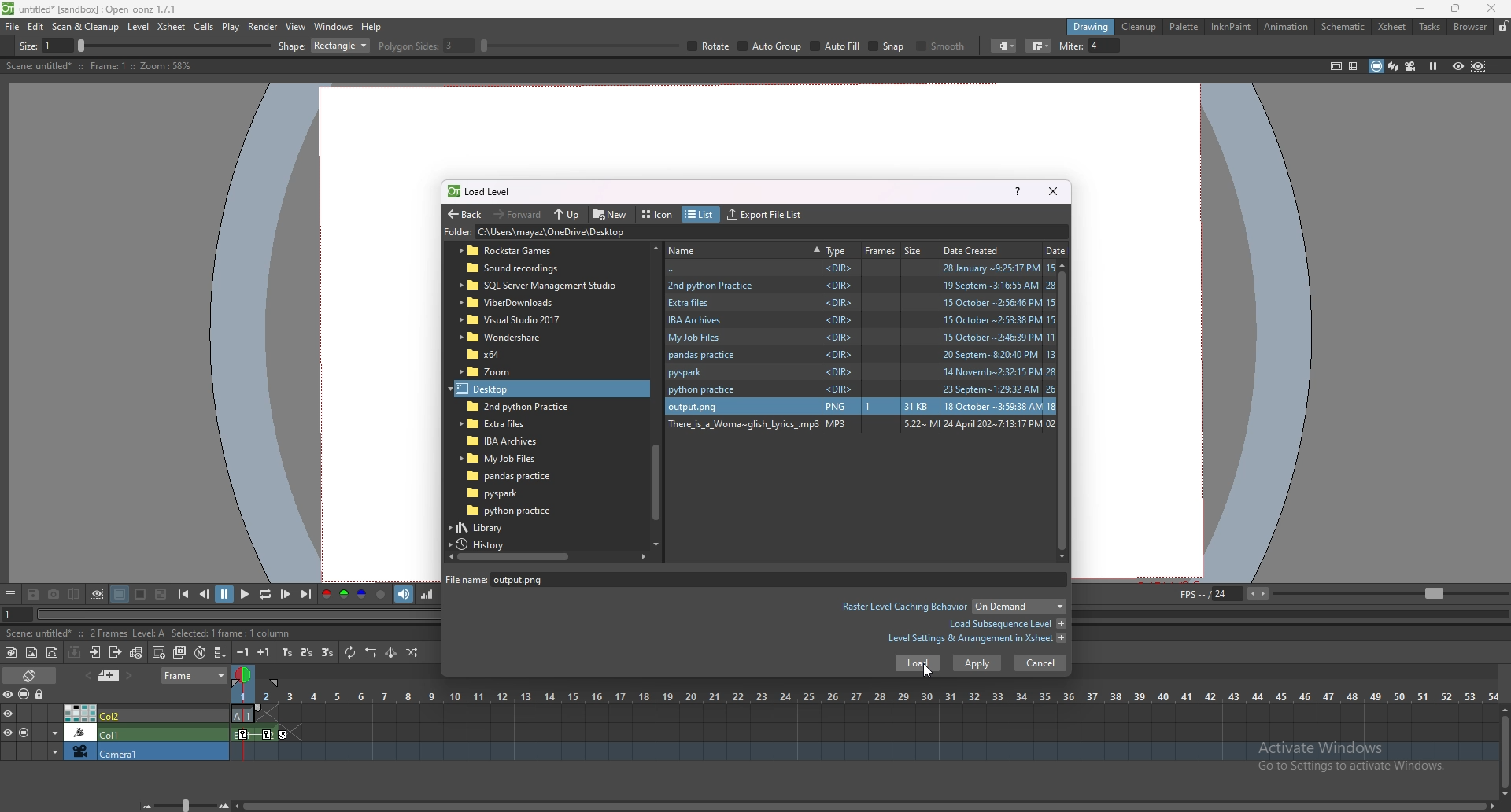 The image size is (1511, 812). What do you see at coordinates (1395, 65) in the screenshot?
I see `3d view` at bounding box center [1395, 65].